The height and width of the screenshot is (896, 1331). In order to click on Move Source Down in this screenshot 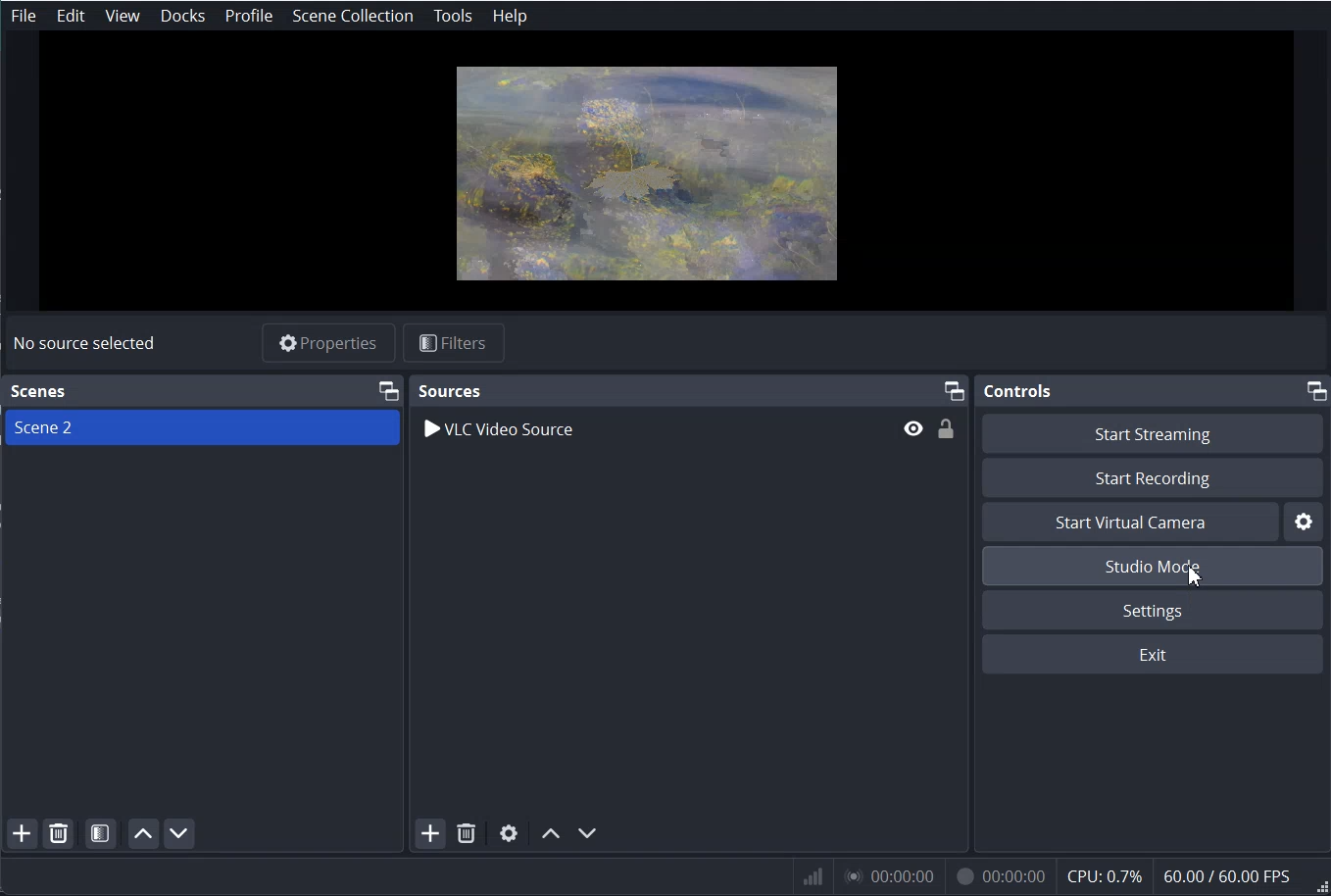, I will do `click(587, 831)`.